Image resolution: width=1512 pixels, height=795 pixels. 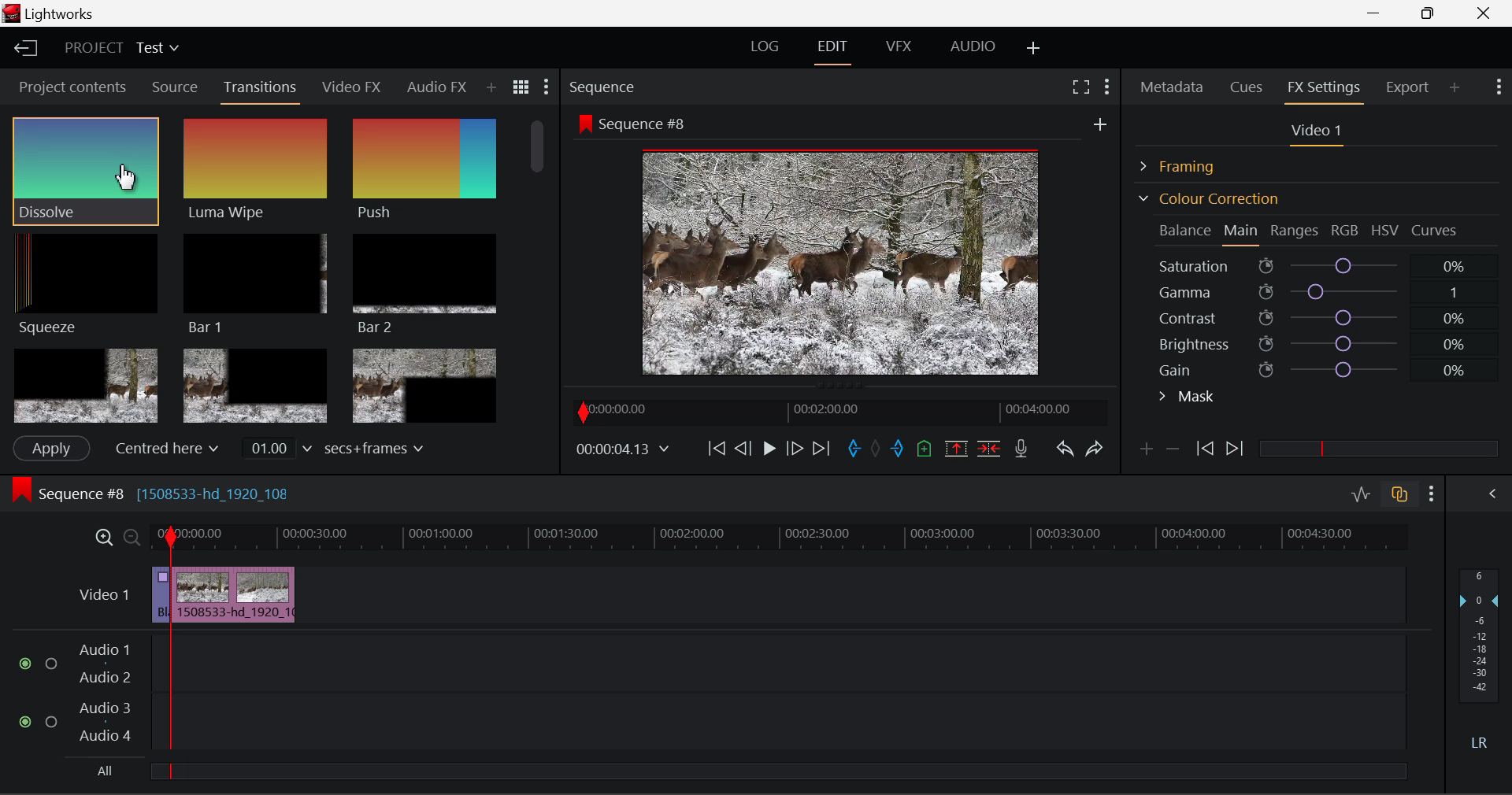 What do you see at coordinates (1314, 263) in the screenshot?
I see `Saturation` at bounding box center [1314, 263].